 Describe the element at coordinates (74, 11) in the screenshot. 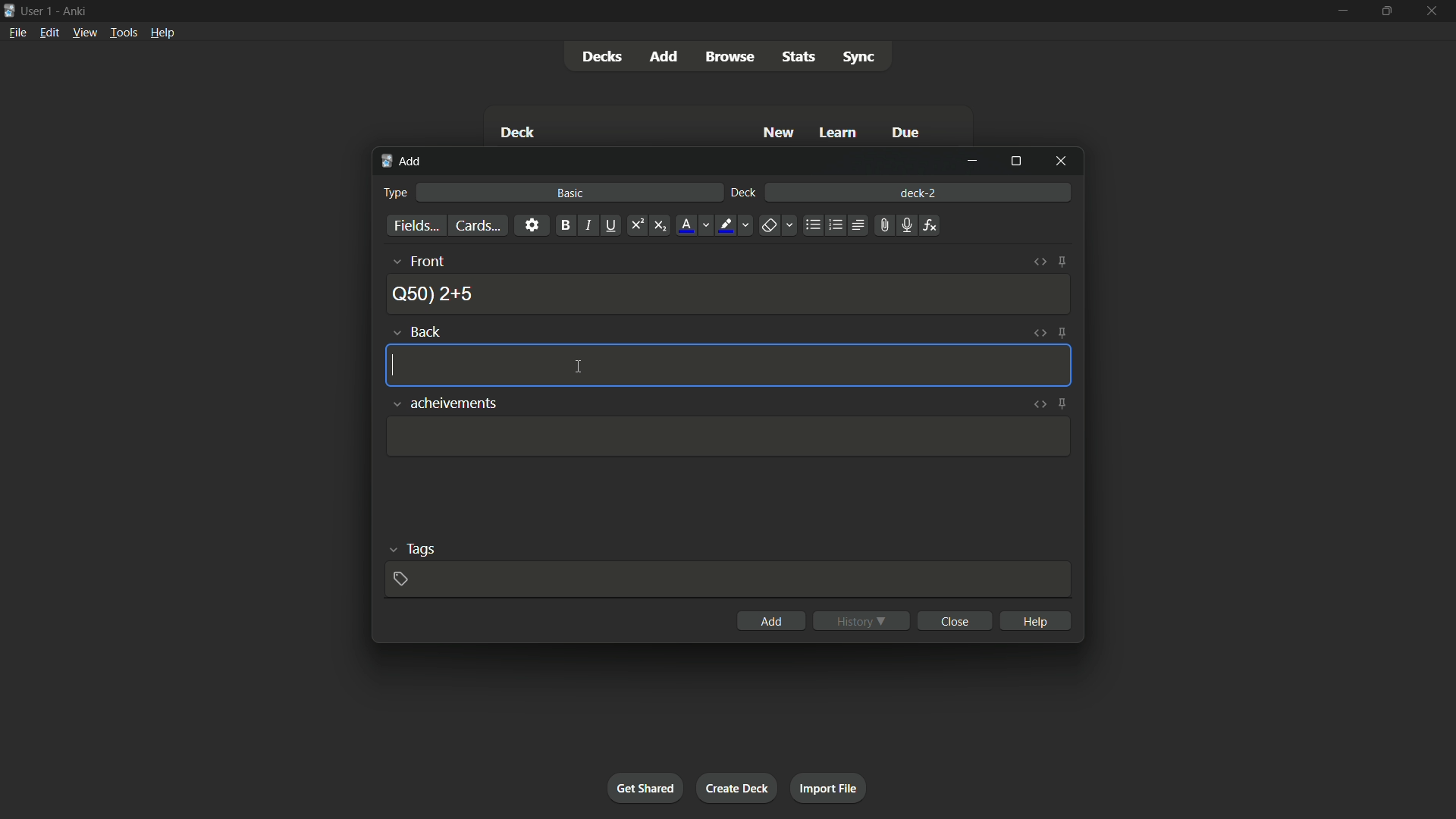

I see `app name` at that location.